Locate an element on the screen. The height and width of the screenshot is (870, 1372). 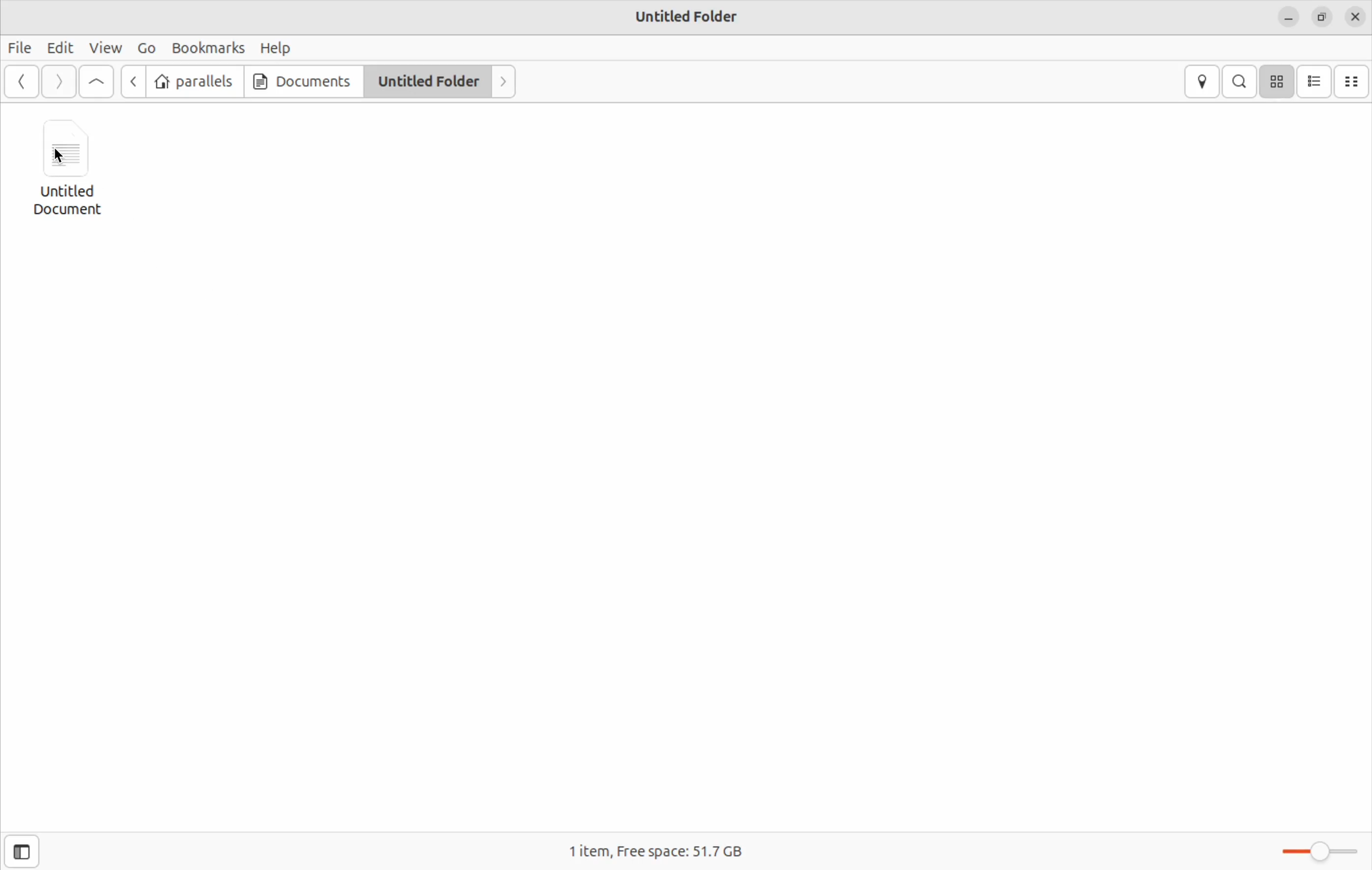
File is located at coordinates (21, 48).